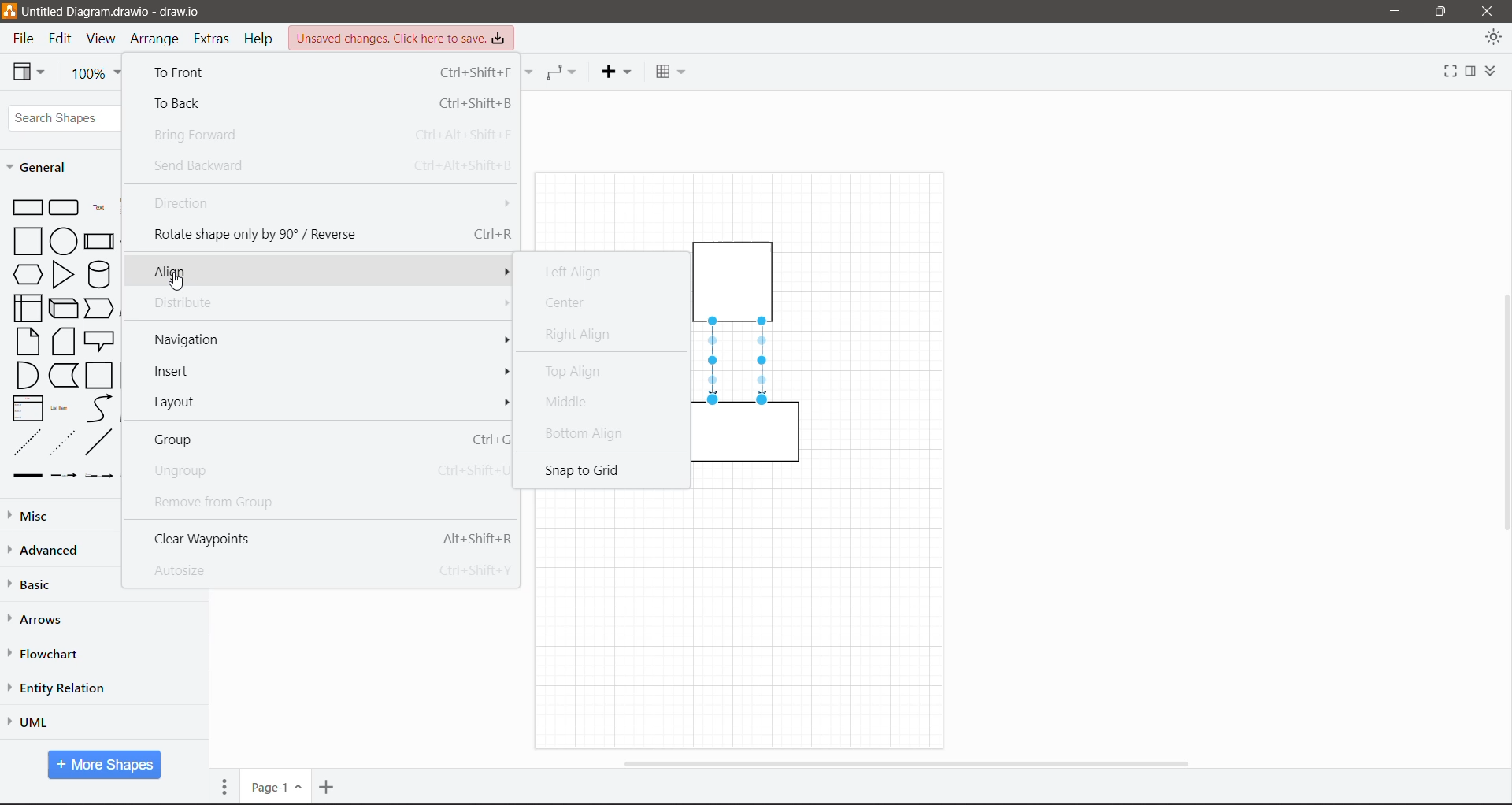  I want to click on Format, so click(1470, 72).